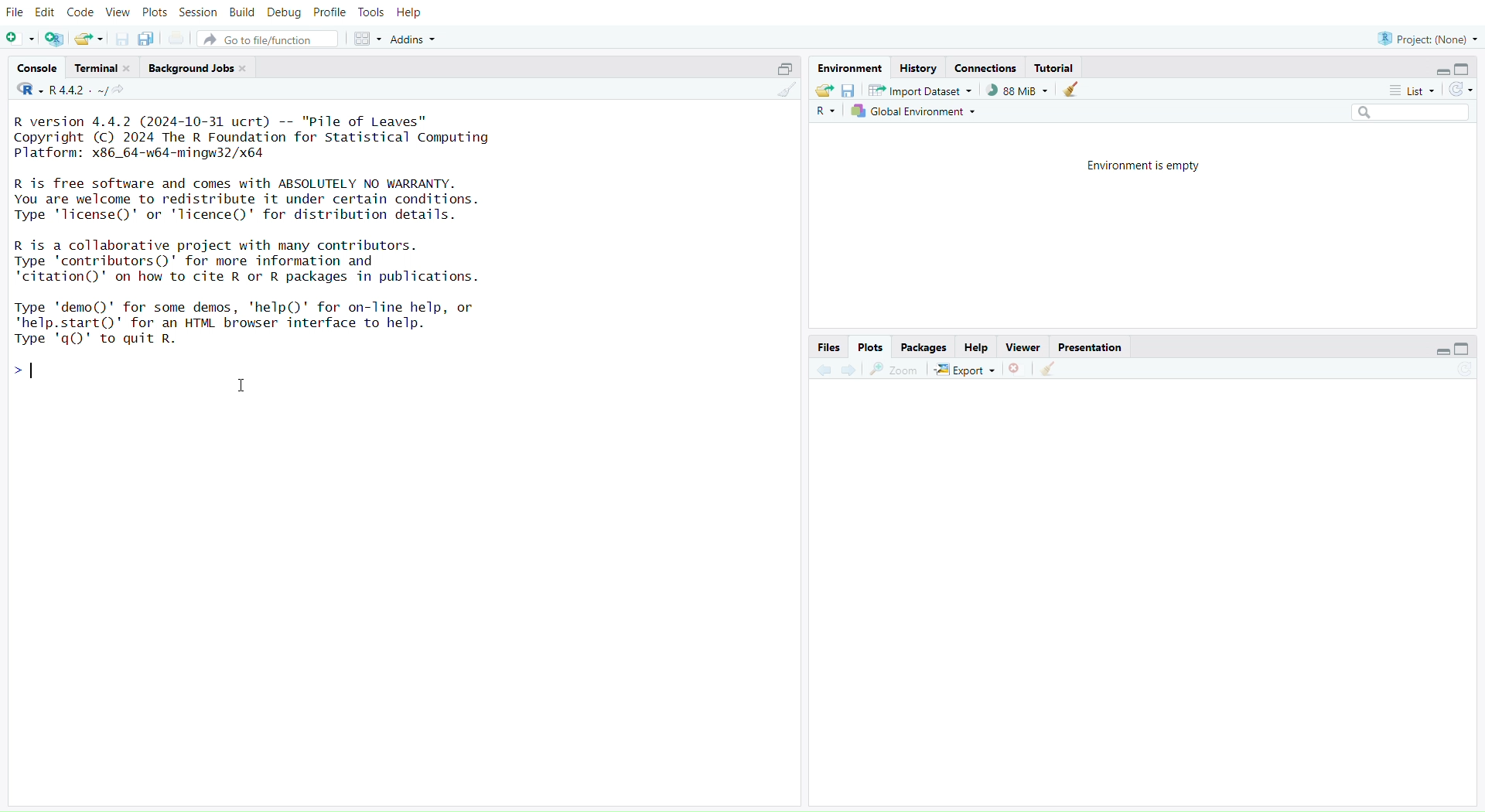  Describe the element at coordinates (1057, 67) in the screenshot. I see `tutorial` at that location.